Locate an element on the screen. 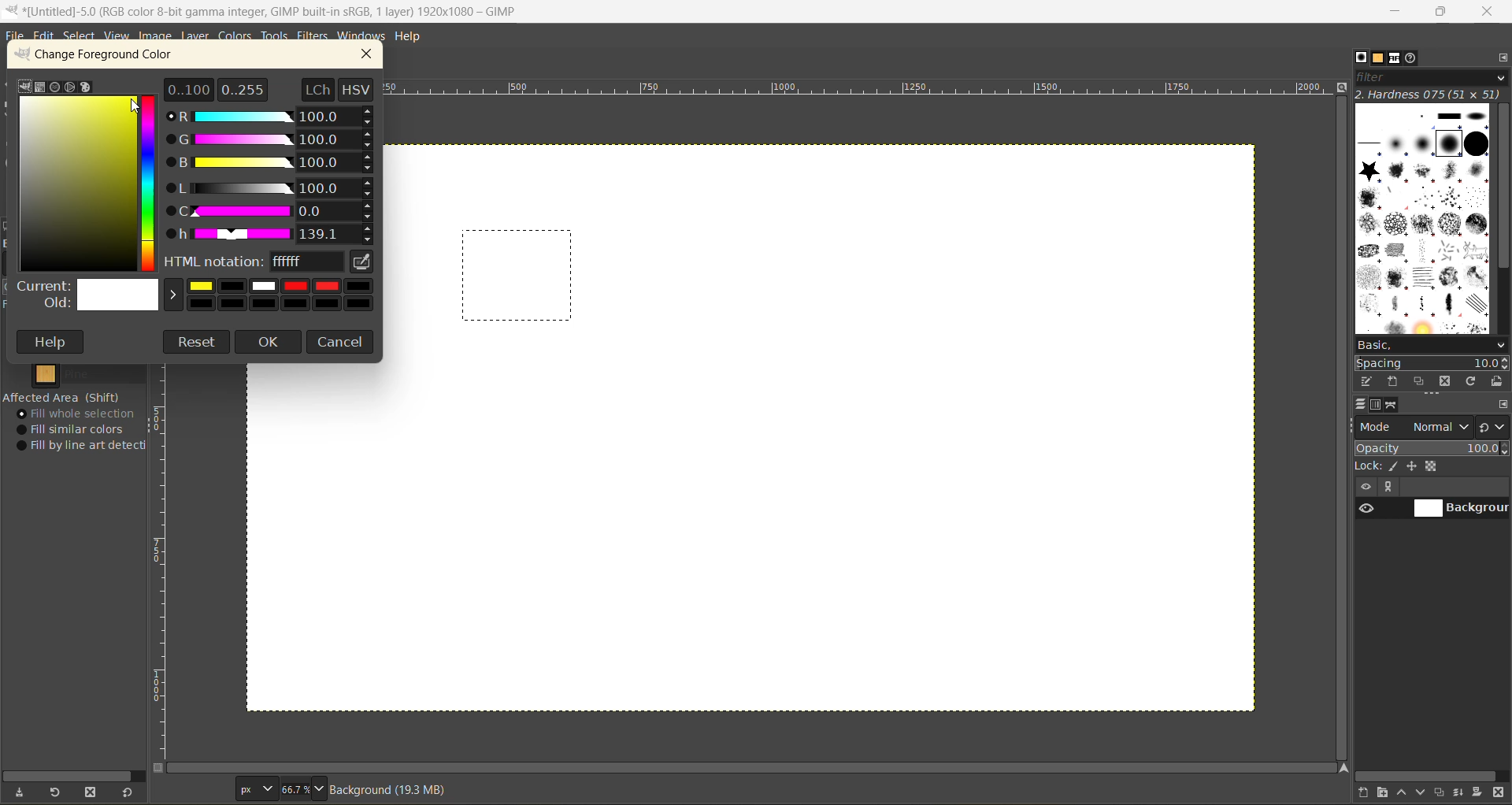  cmyk is located at coordinates (40, 87).